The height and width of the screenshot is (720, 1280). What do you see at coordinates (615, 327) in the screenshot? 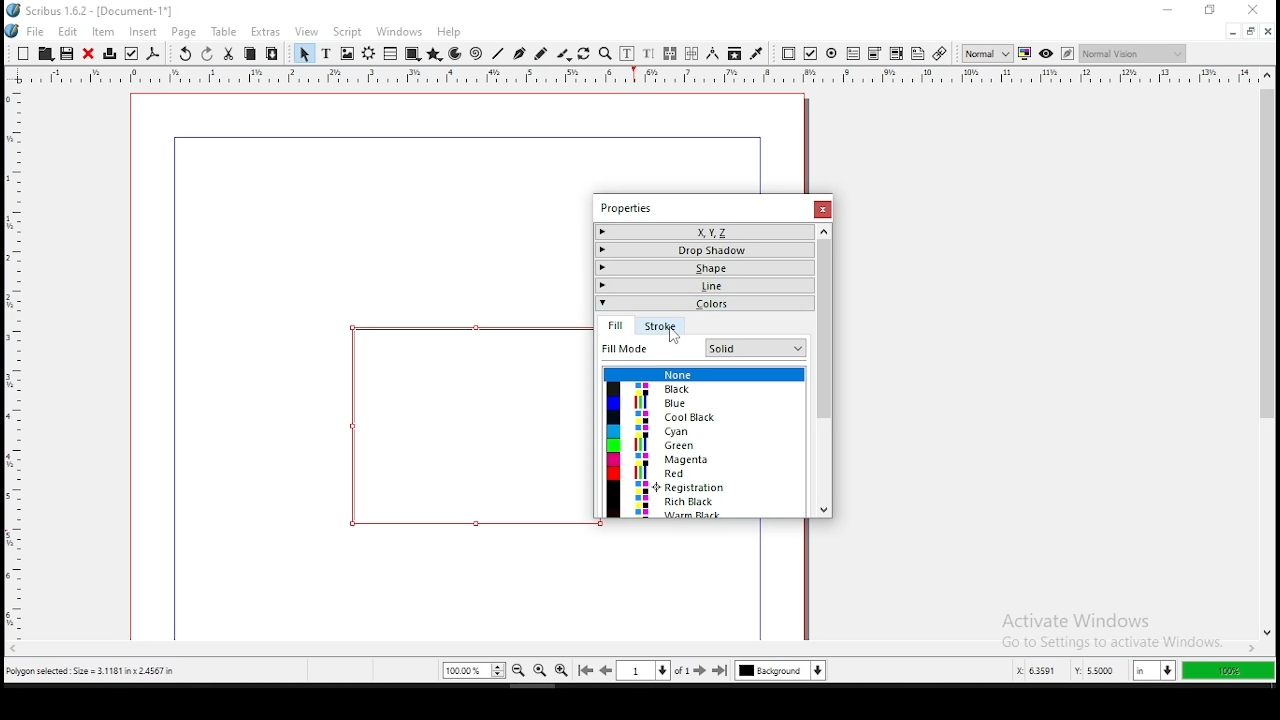
I see `fill` at bounding box center [615, 327].